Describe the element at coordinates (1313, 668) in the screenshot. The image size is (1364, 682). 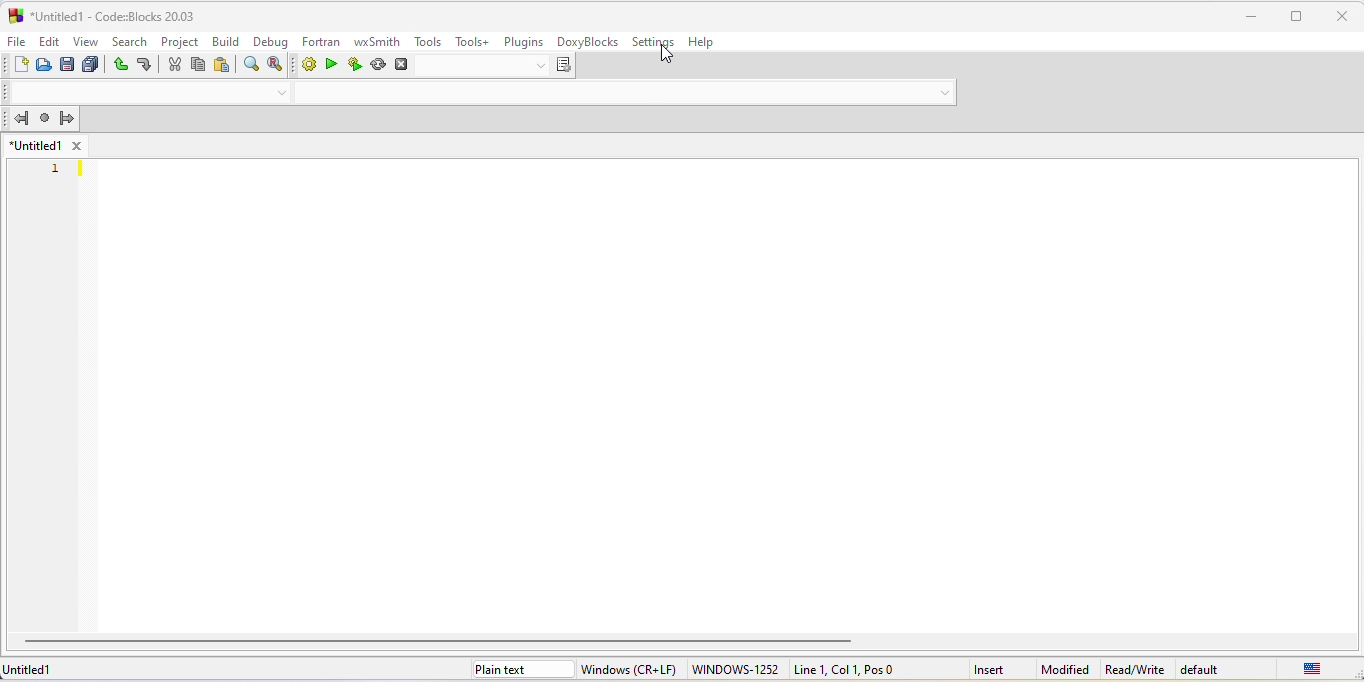
I see `united state` at that location.